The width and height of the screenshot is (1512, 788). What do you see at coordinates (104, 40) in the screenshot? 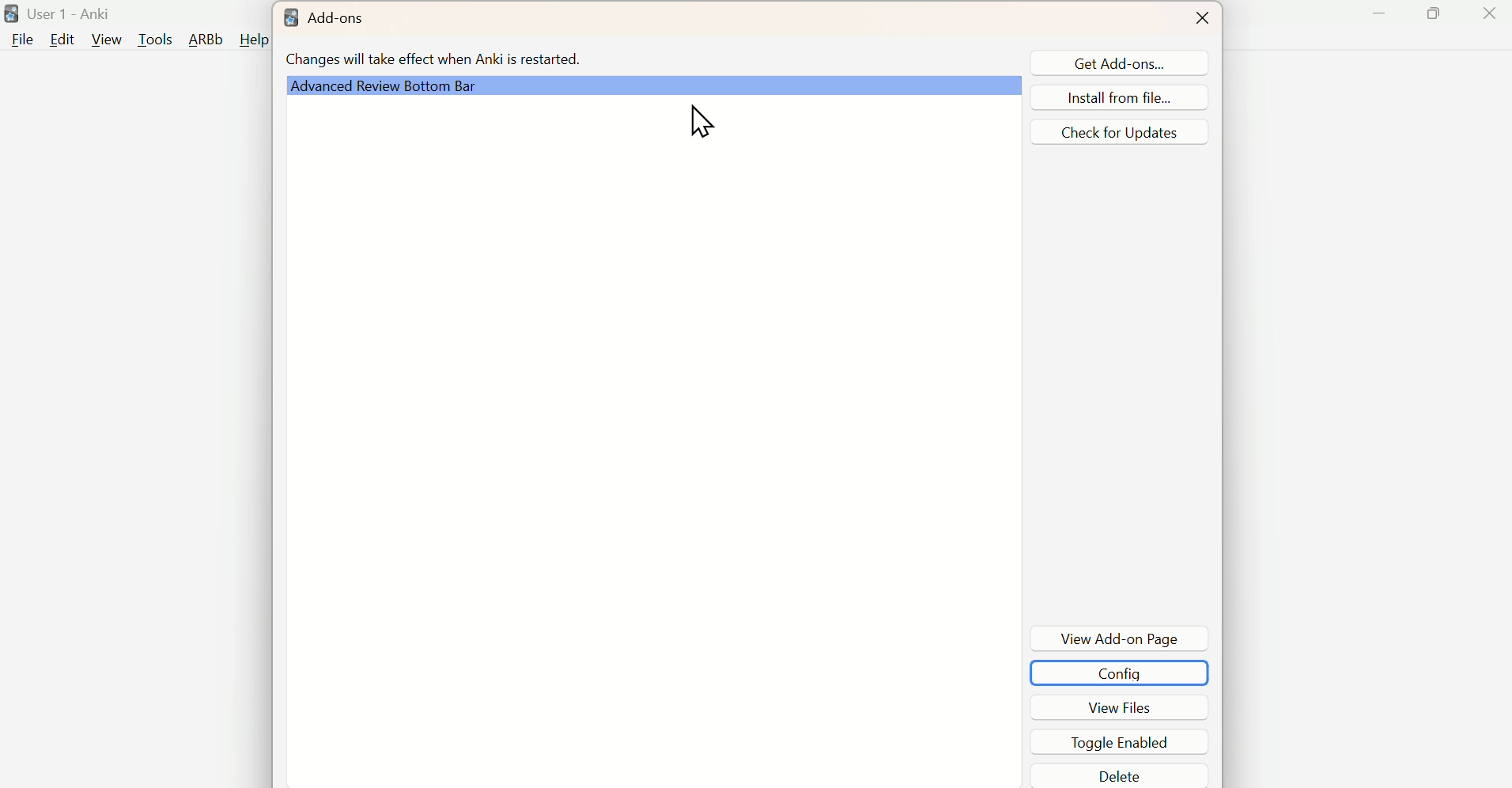
I see `View` at bounding box center [104, 40].